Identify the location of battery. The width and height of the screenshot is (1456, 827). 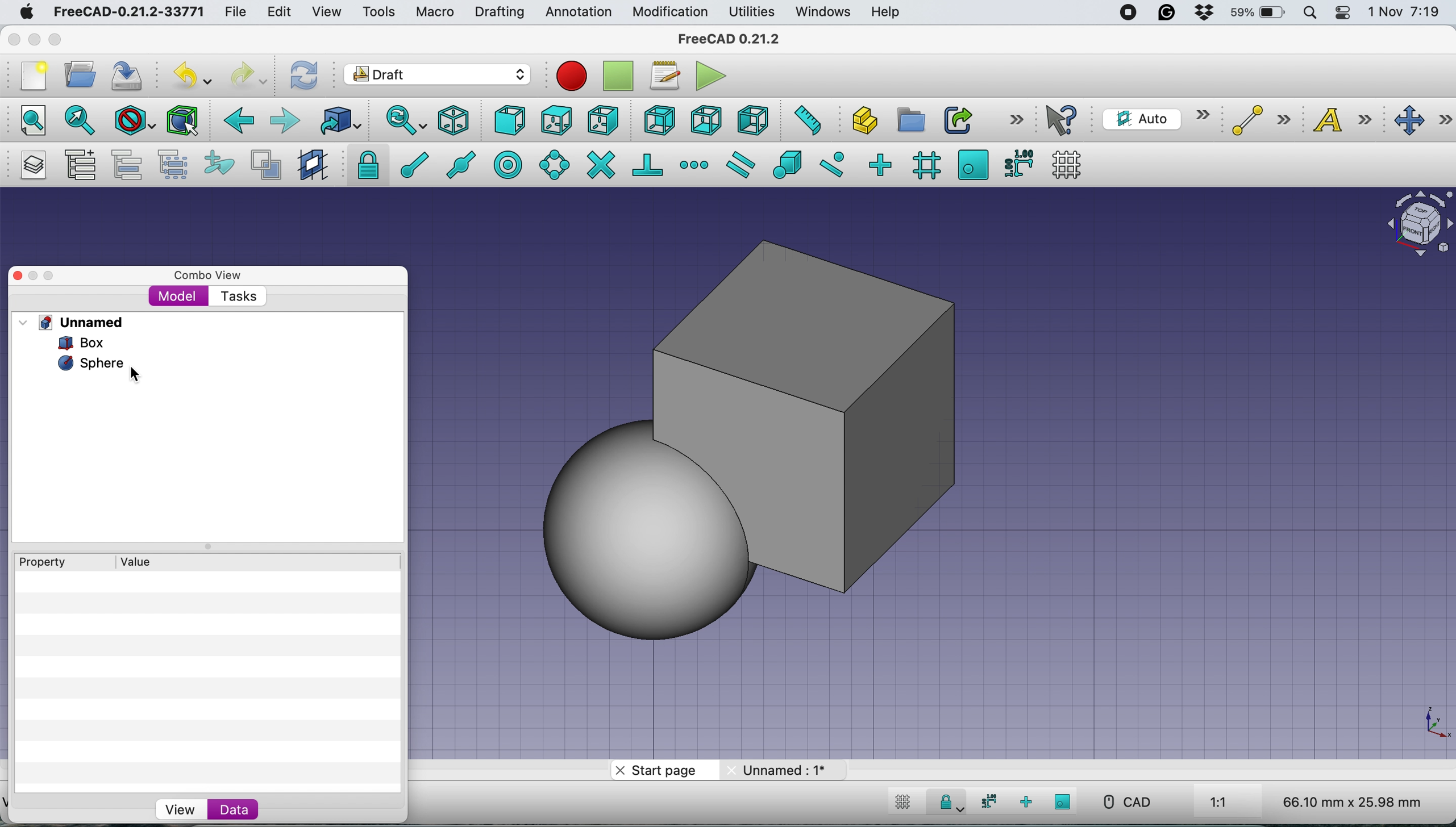
(1254, 14).